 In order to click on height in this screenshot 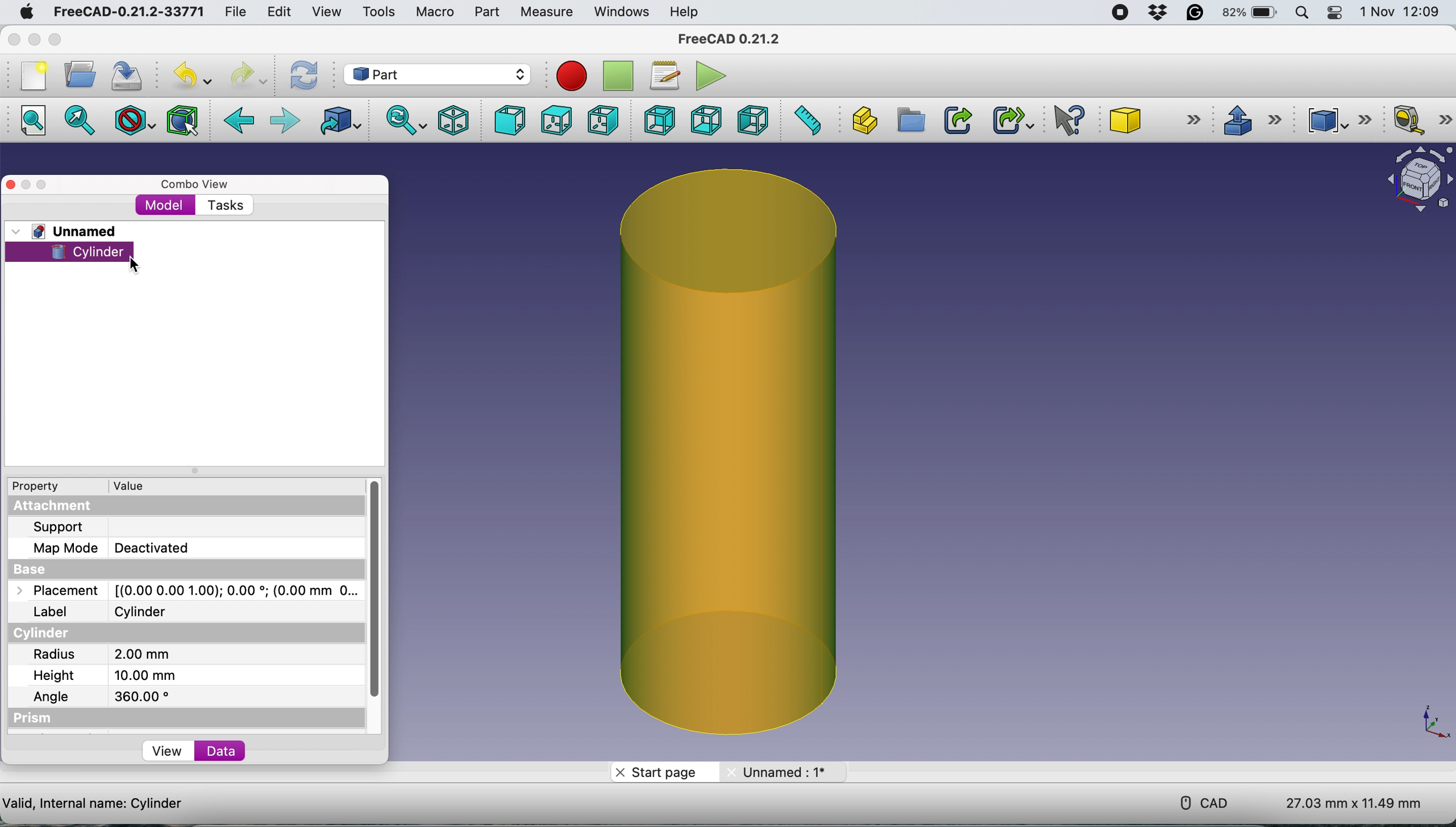, I will do `click(102, 678)`.